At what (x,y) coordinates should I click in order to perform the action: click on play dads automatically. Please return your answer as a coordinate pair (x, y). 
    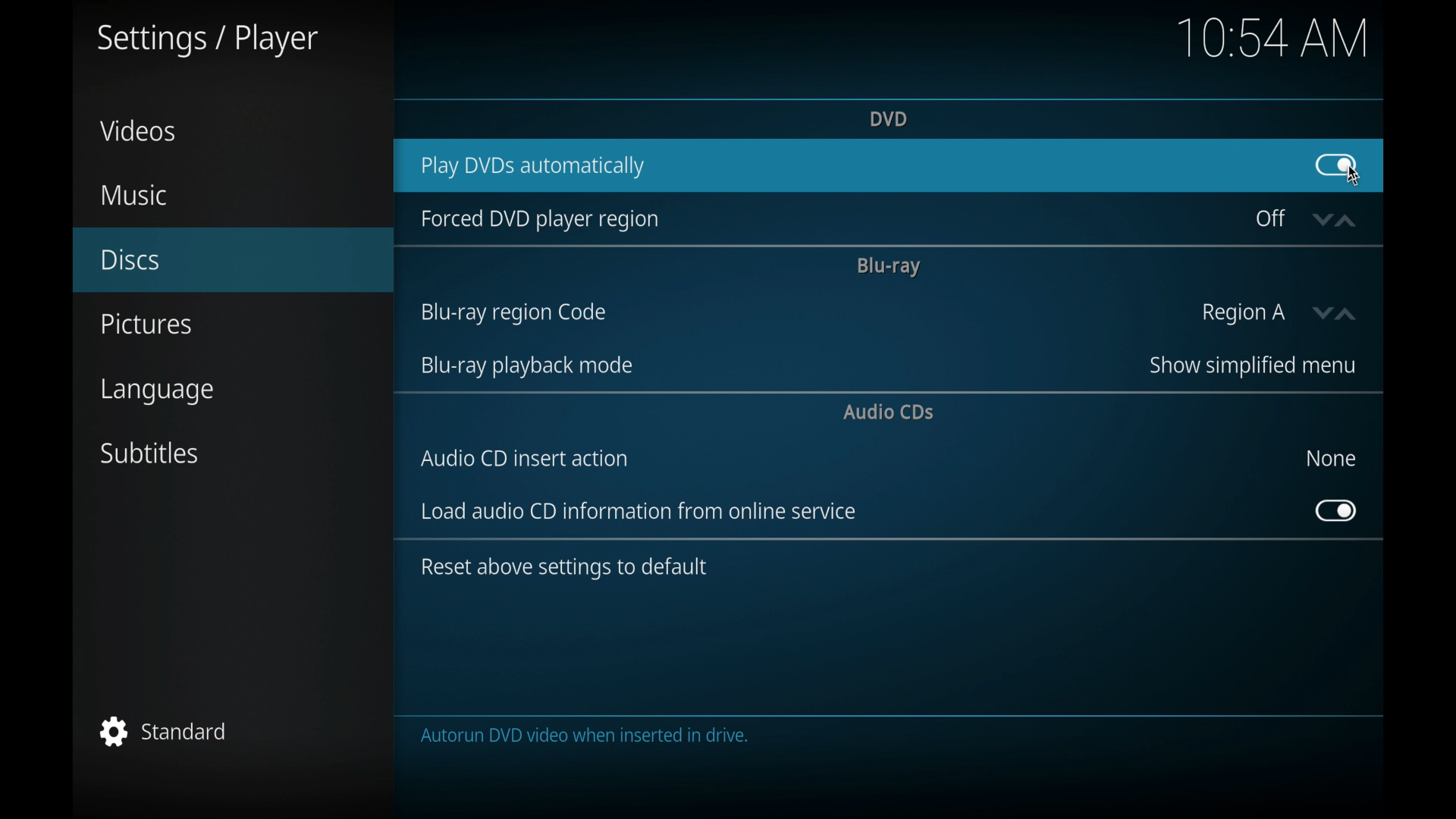
    Looking at the image, I should click on (532, 168).